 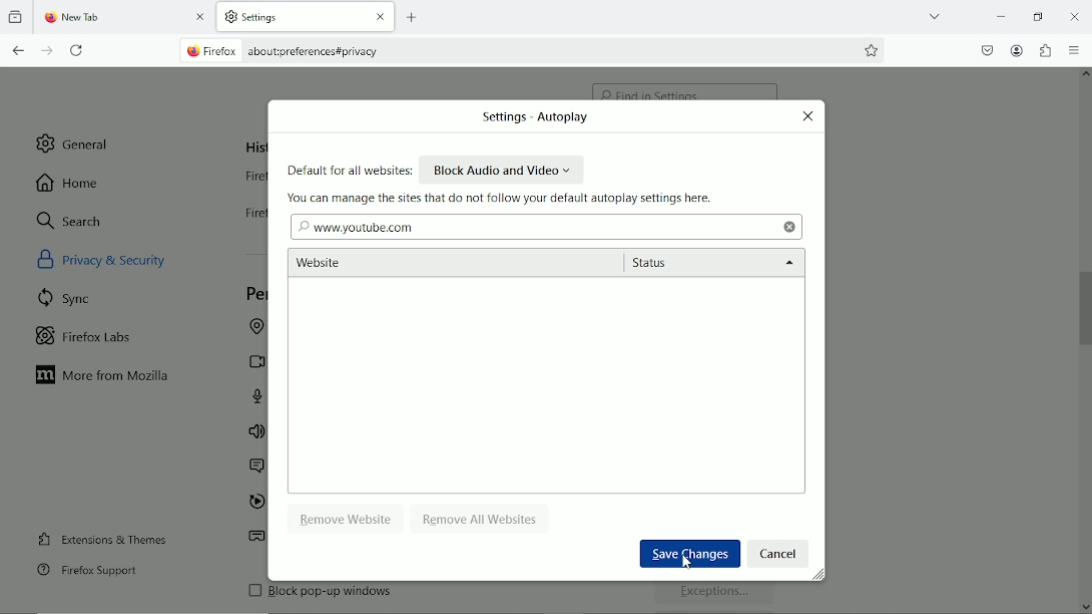 I want to click on minimize, so click(x=1001, y=15).